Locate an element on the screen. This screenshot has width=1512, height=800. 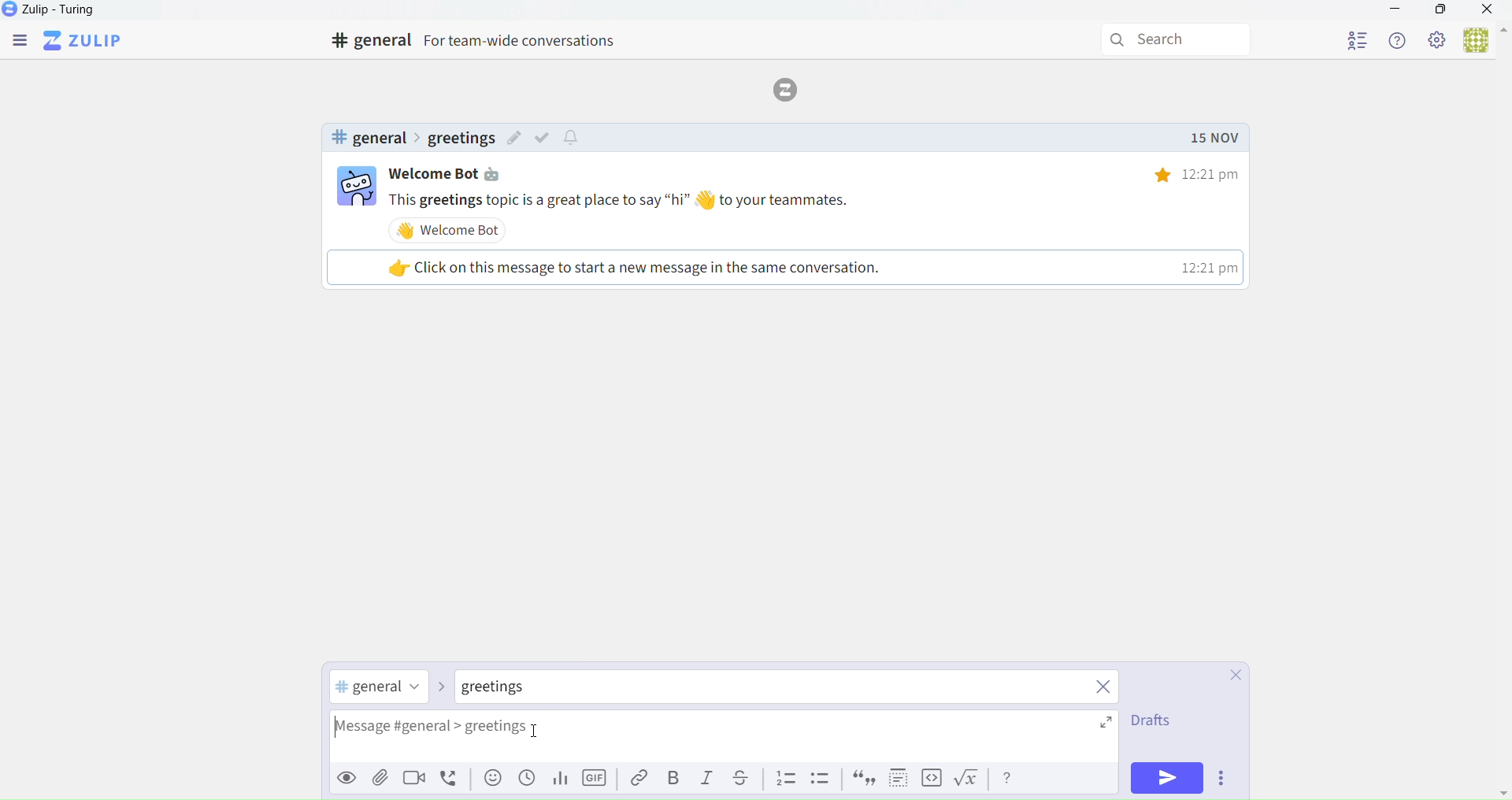
time is located at coordinates (1185, 174).